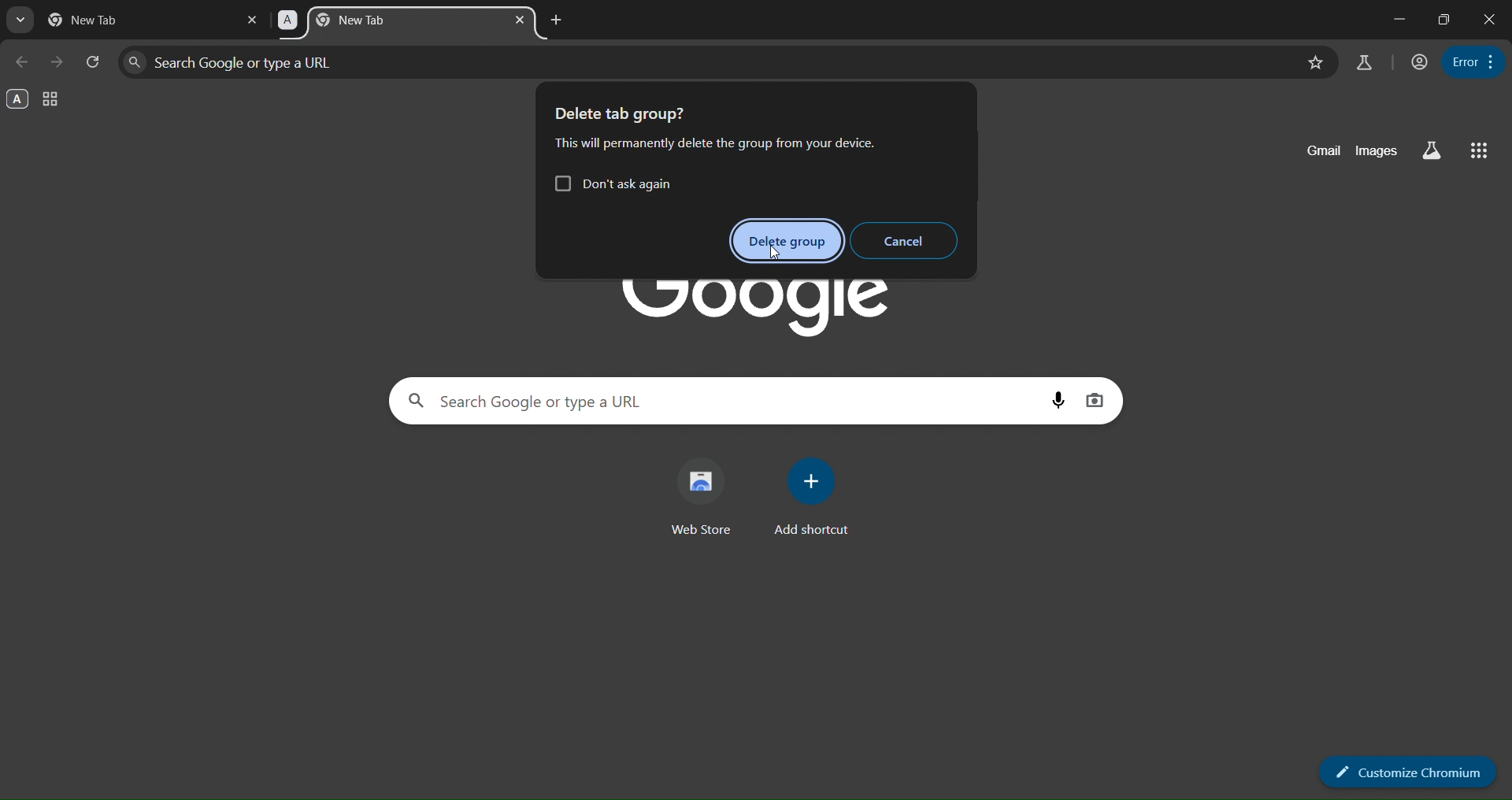 Image resolution: width=1512 pixels, height=800 pixels. I want to click on A -new tab, so click(385, 22).